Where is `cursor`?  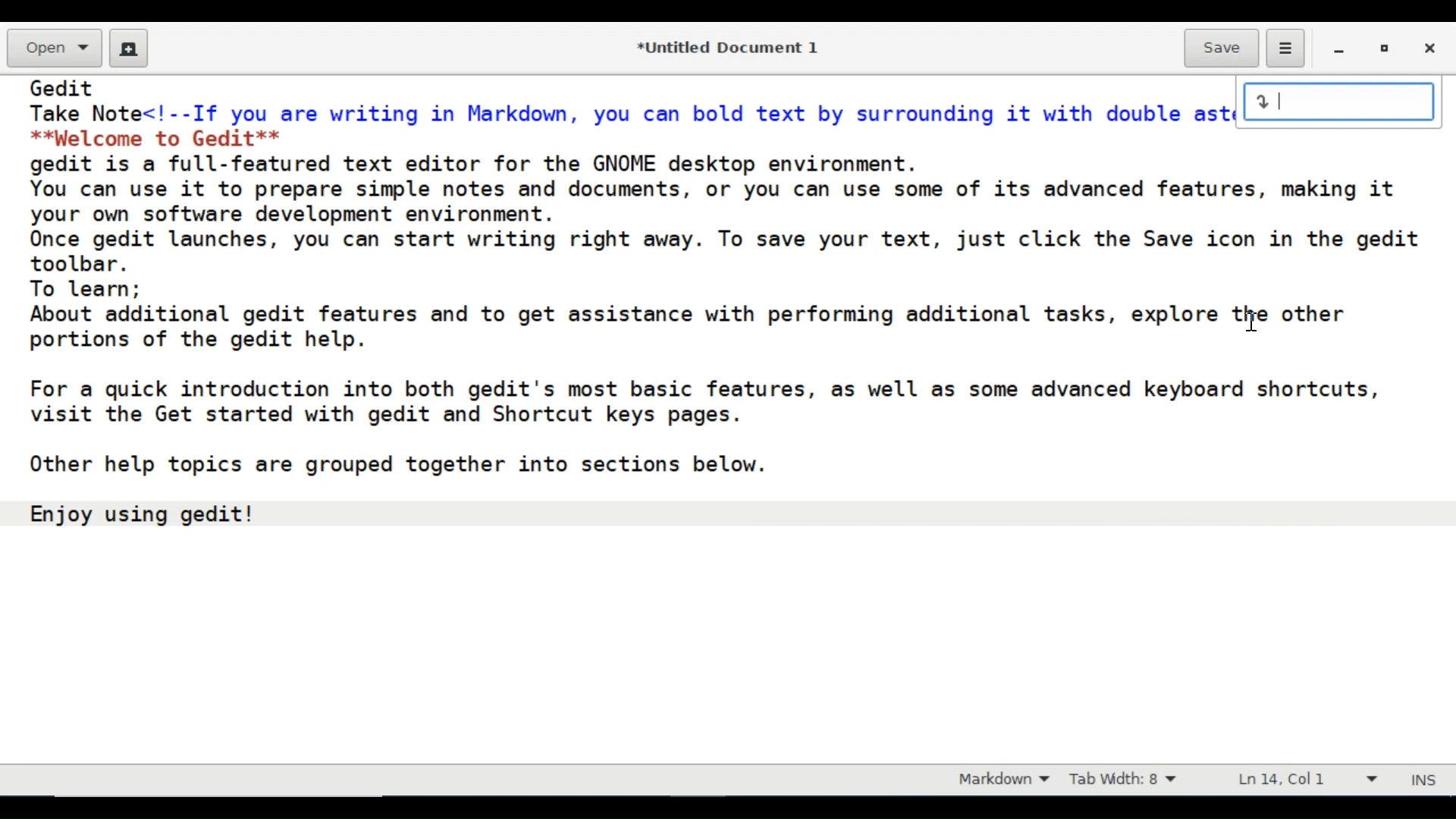
cursor is located at coordinates (1254, 321).